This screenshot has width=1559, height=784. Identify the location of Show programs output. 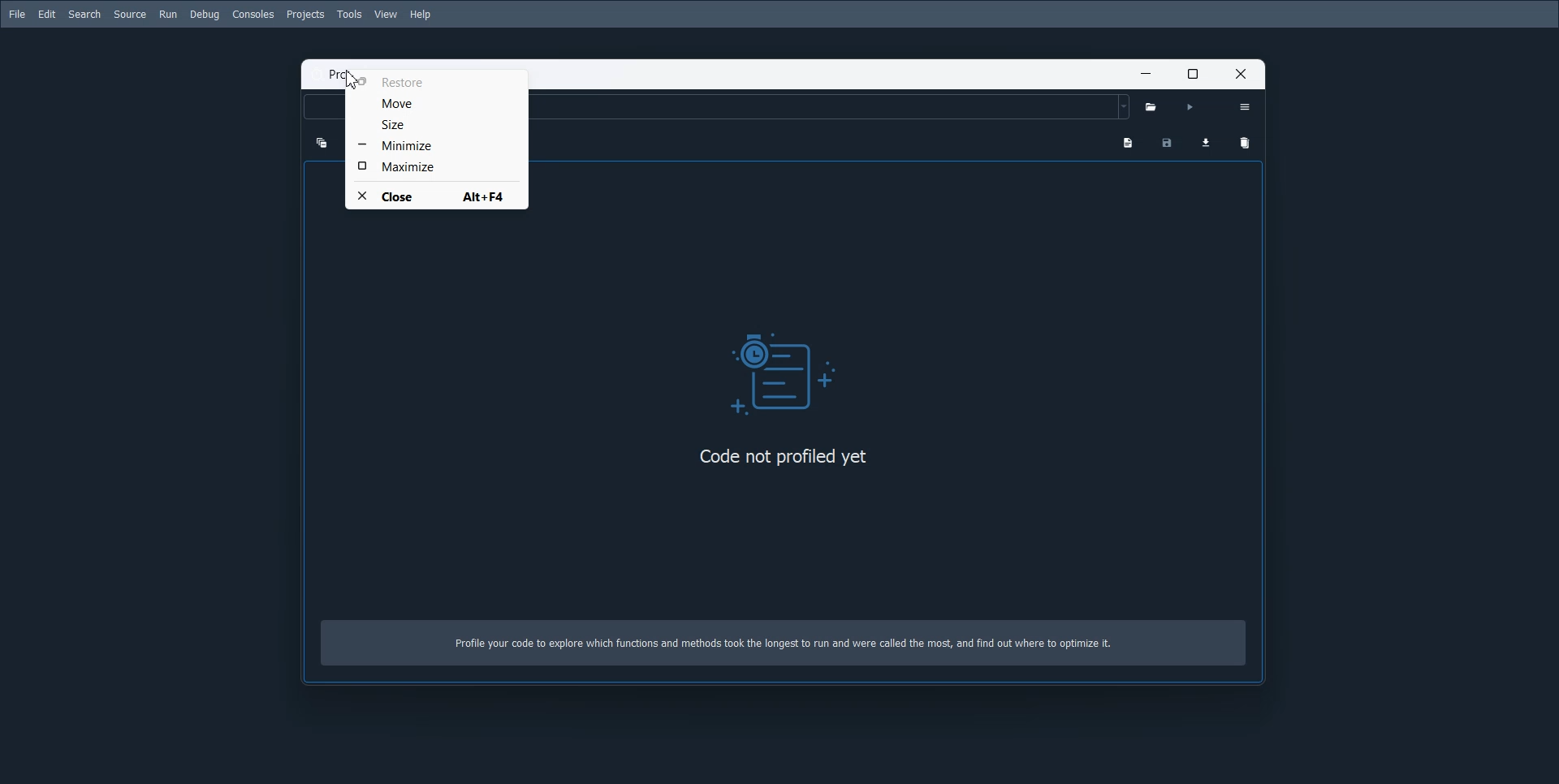
(1126, 141).